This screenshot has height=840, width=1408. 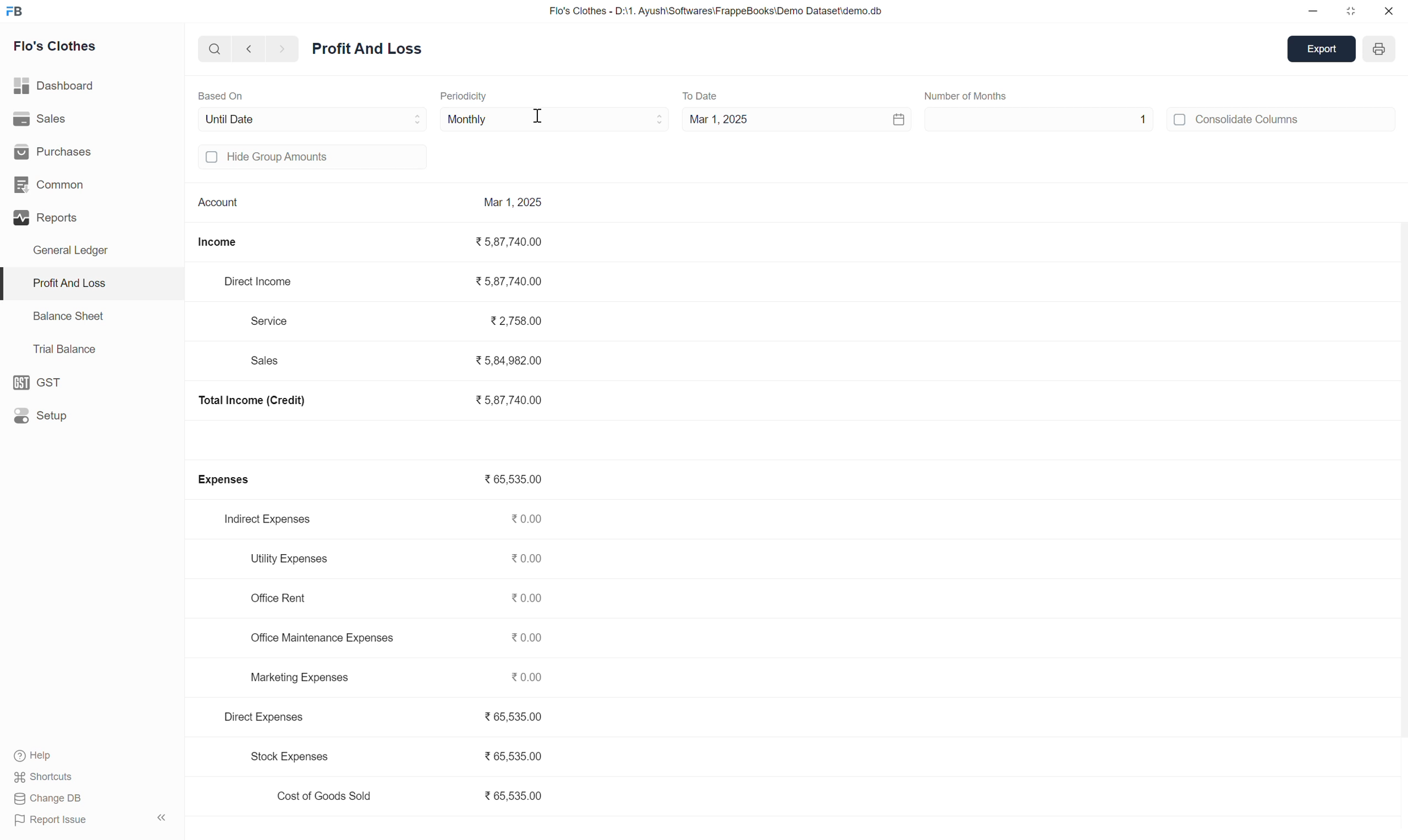 What do you see at coordinates (532, 678) in the screenshot?
I see `₹0.00` at bounding box center [532, 678].